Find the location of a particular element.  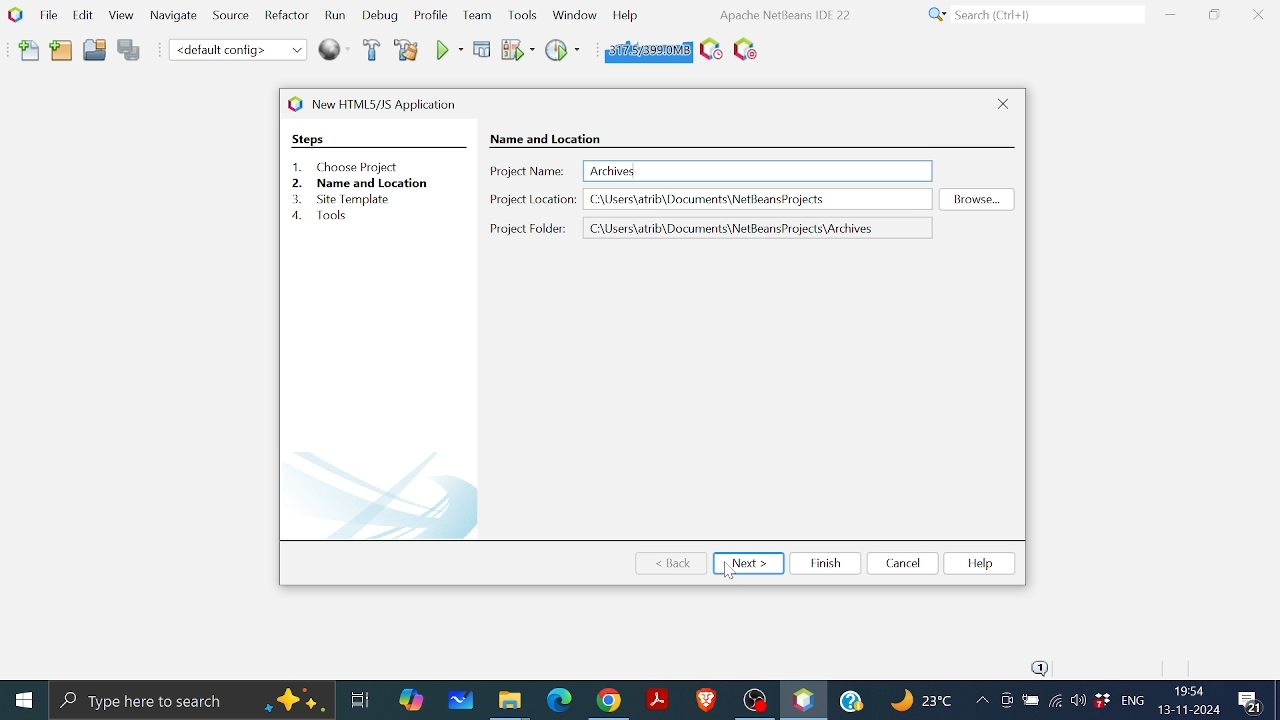

Space for defining project location is located at coordinates (759, 199).